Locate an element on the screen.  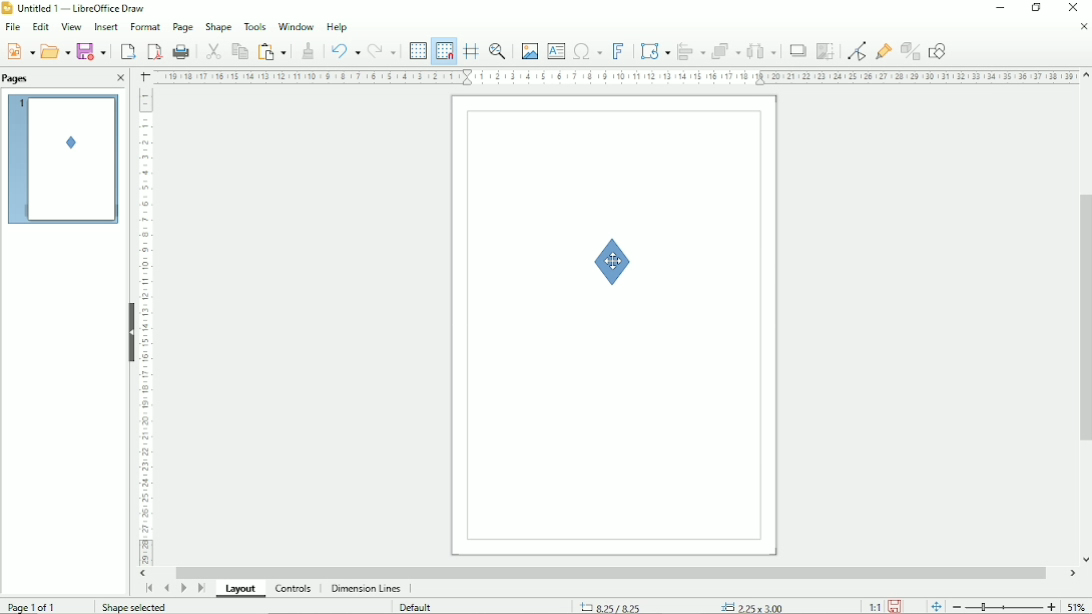
Crop image is located at coordinates (824, 52).